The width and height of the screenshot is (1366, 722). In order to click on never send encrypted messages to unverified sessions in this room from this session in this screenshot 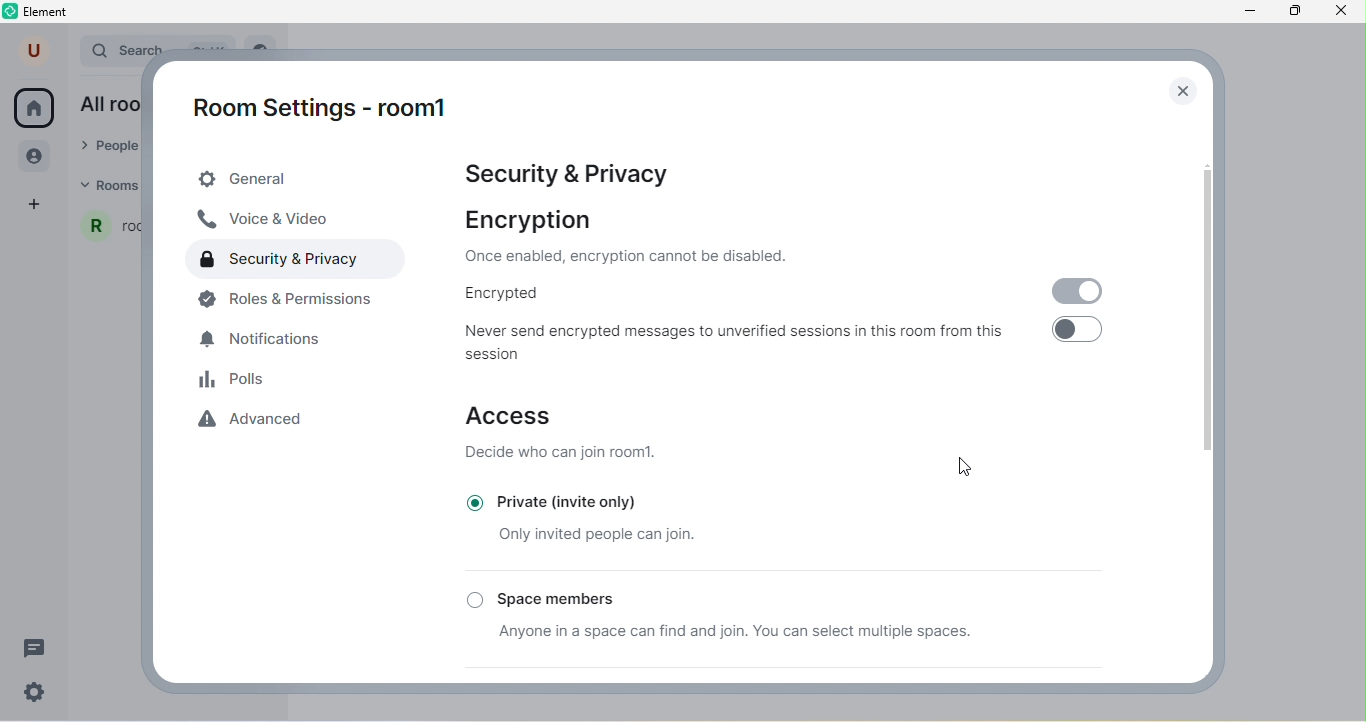, I will do `click(743, 342)`.